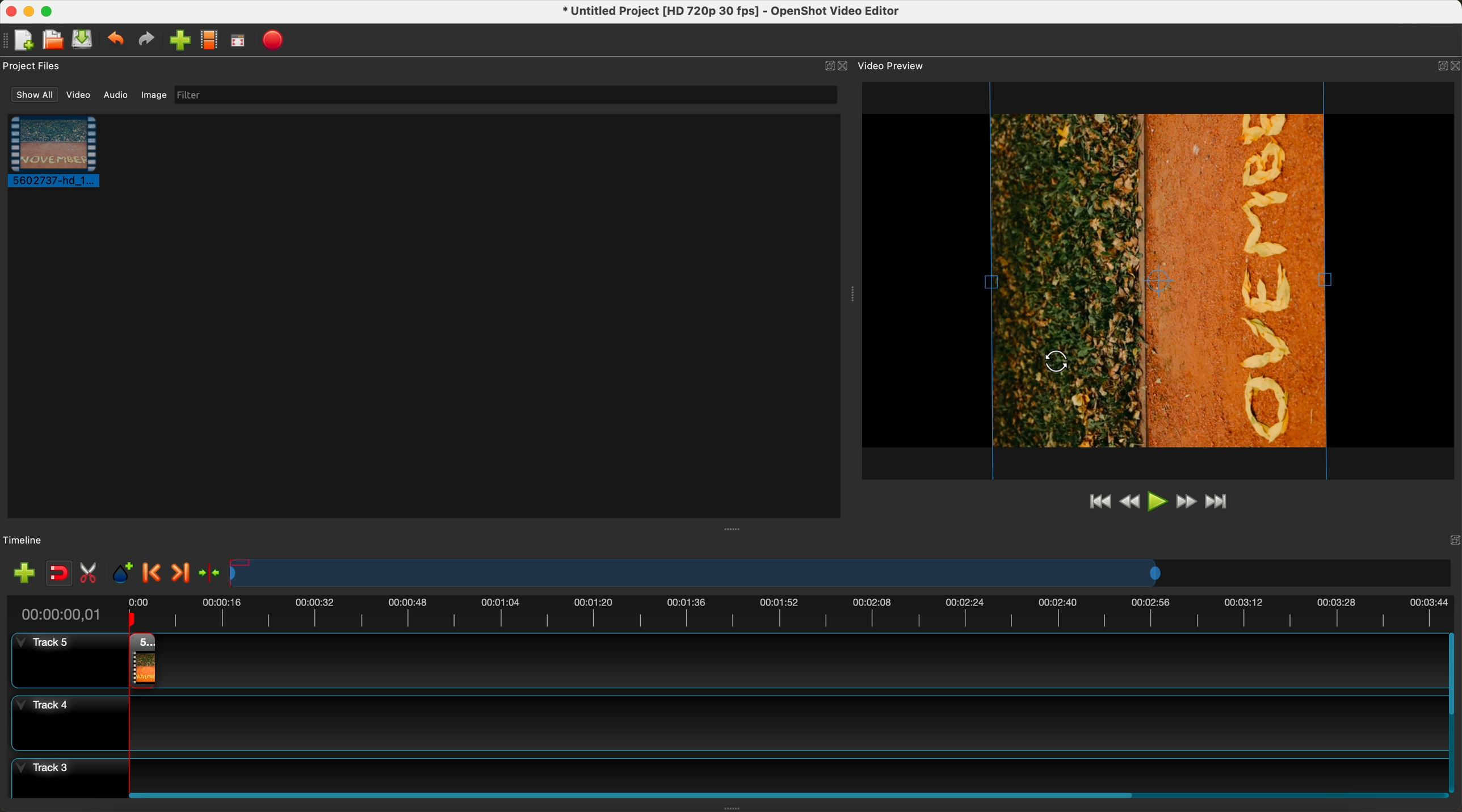  I want to click on save project, so click(83, 39).